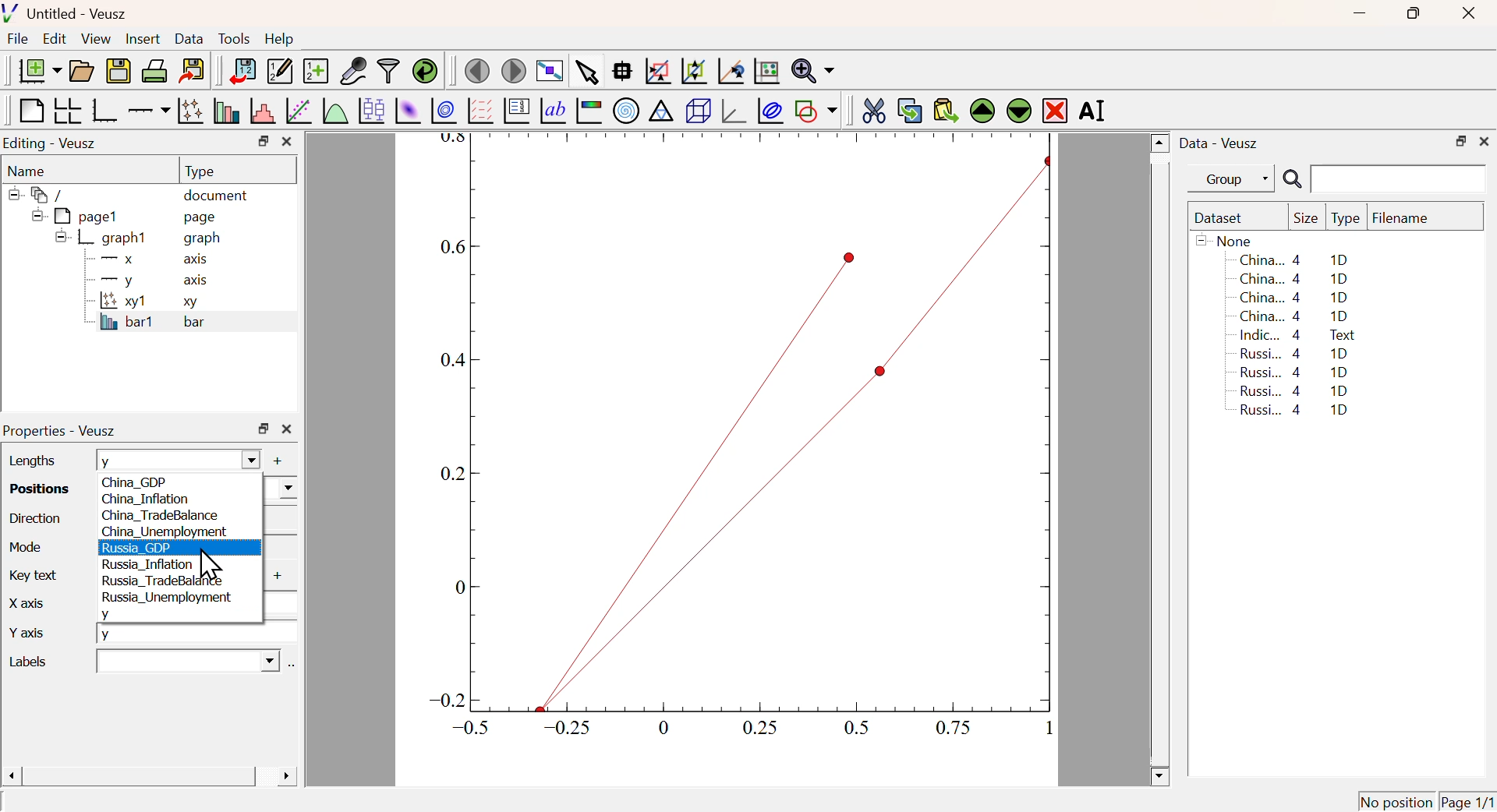  I want to click on Base Graph, so click(103, 110).